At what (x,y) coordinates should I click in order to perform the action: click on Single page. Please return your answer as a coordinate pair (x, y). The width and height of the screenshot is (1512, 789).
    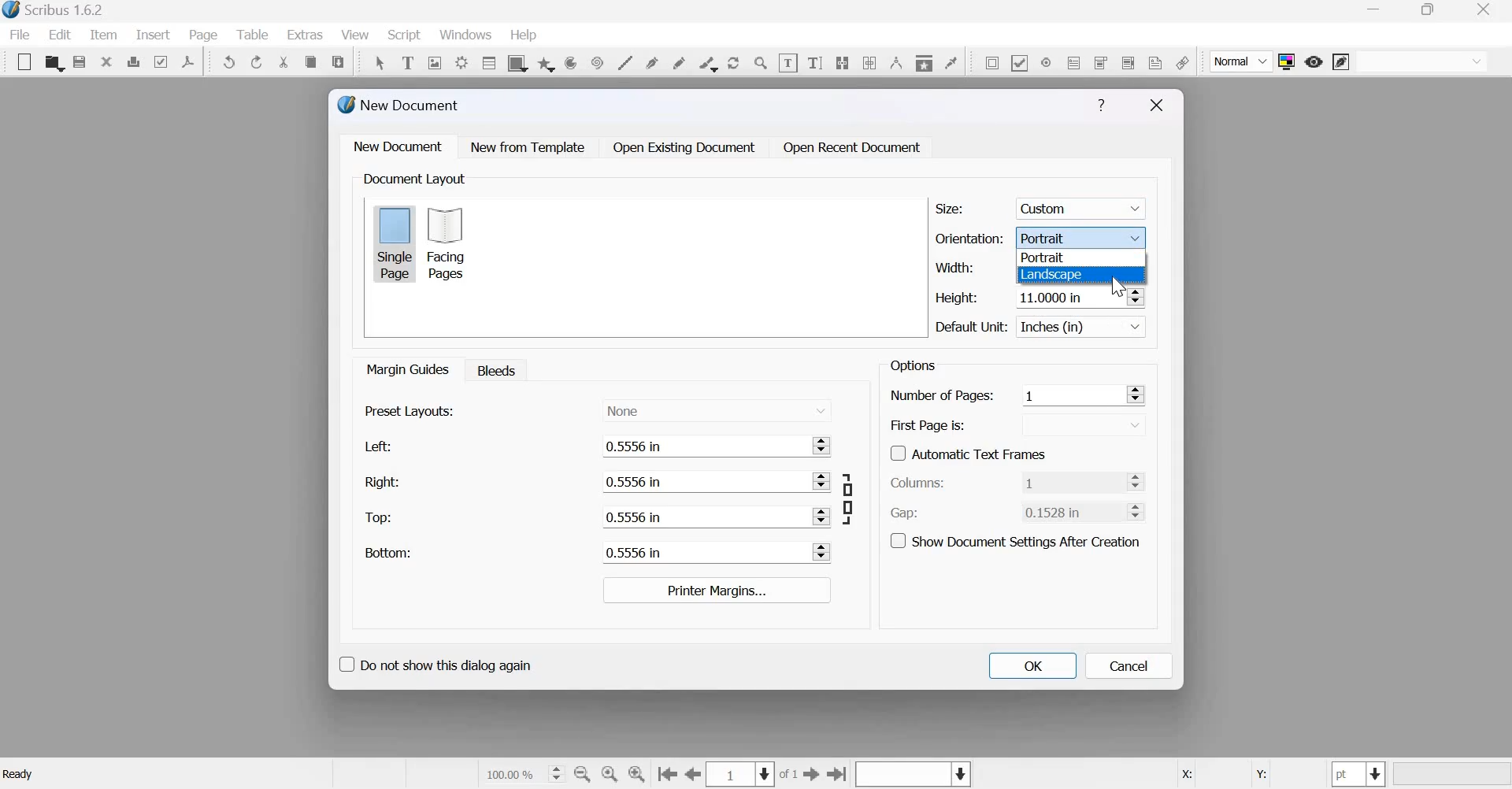
    Looking at the image, I should click on (395, 243).